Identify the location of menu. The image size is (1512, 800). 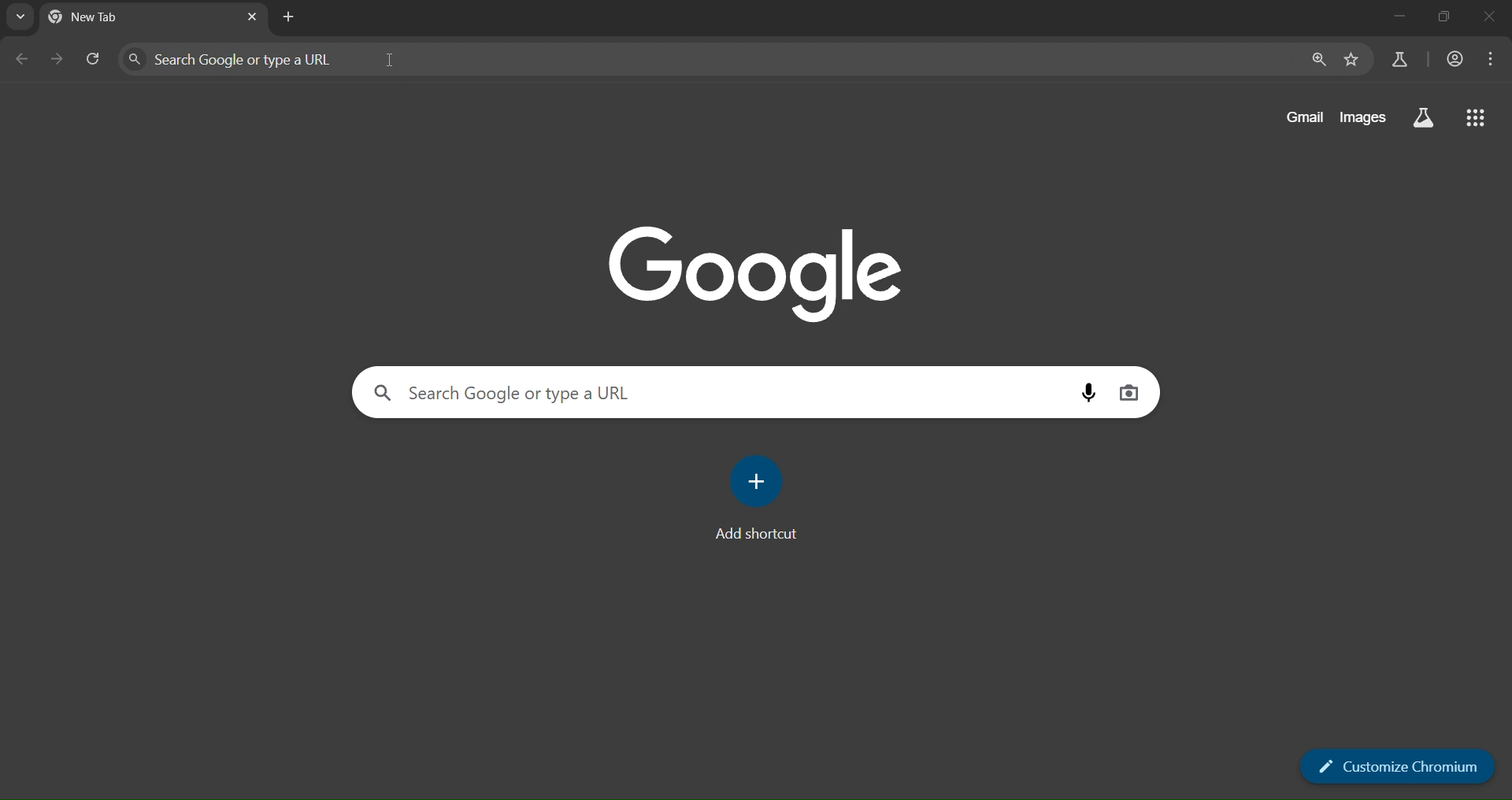
(1495, 59).